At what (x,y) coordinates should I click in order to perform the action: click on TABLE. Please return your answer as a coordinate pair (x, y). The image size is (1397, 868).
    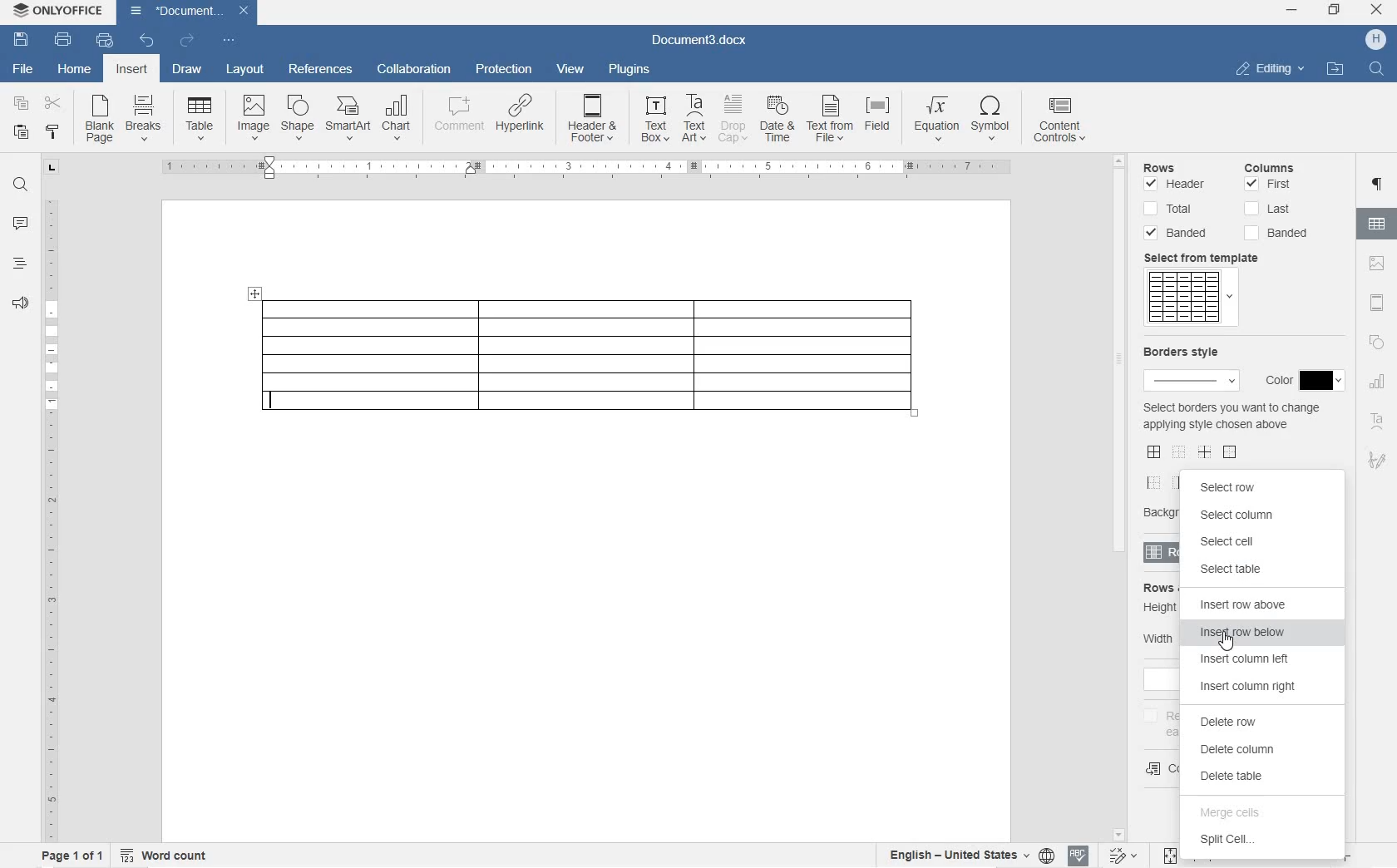
    Looking at the image, I should click on (200, 121).